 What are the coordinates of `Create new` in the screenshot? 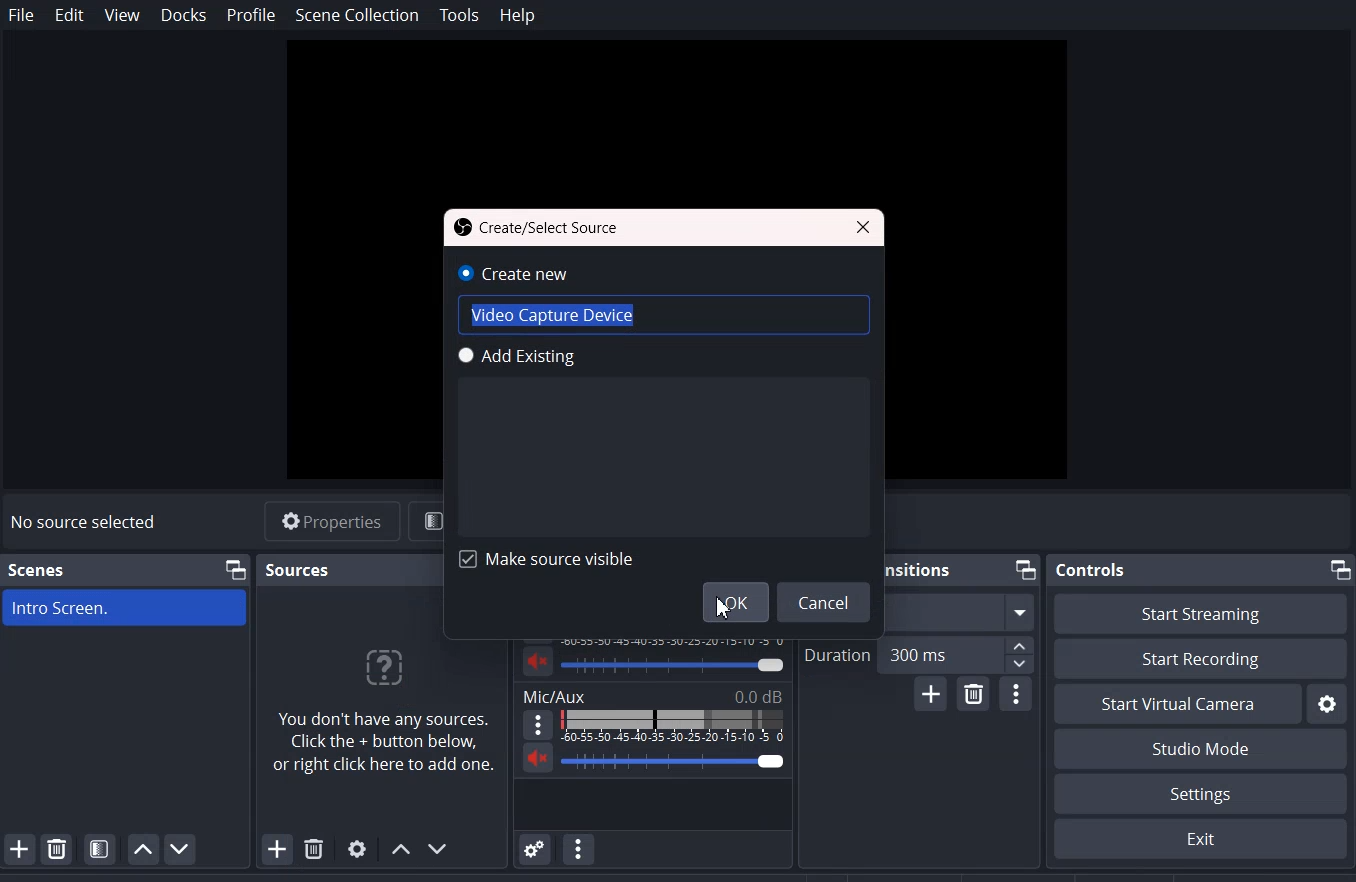 It's located at (663, 299).